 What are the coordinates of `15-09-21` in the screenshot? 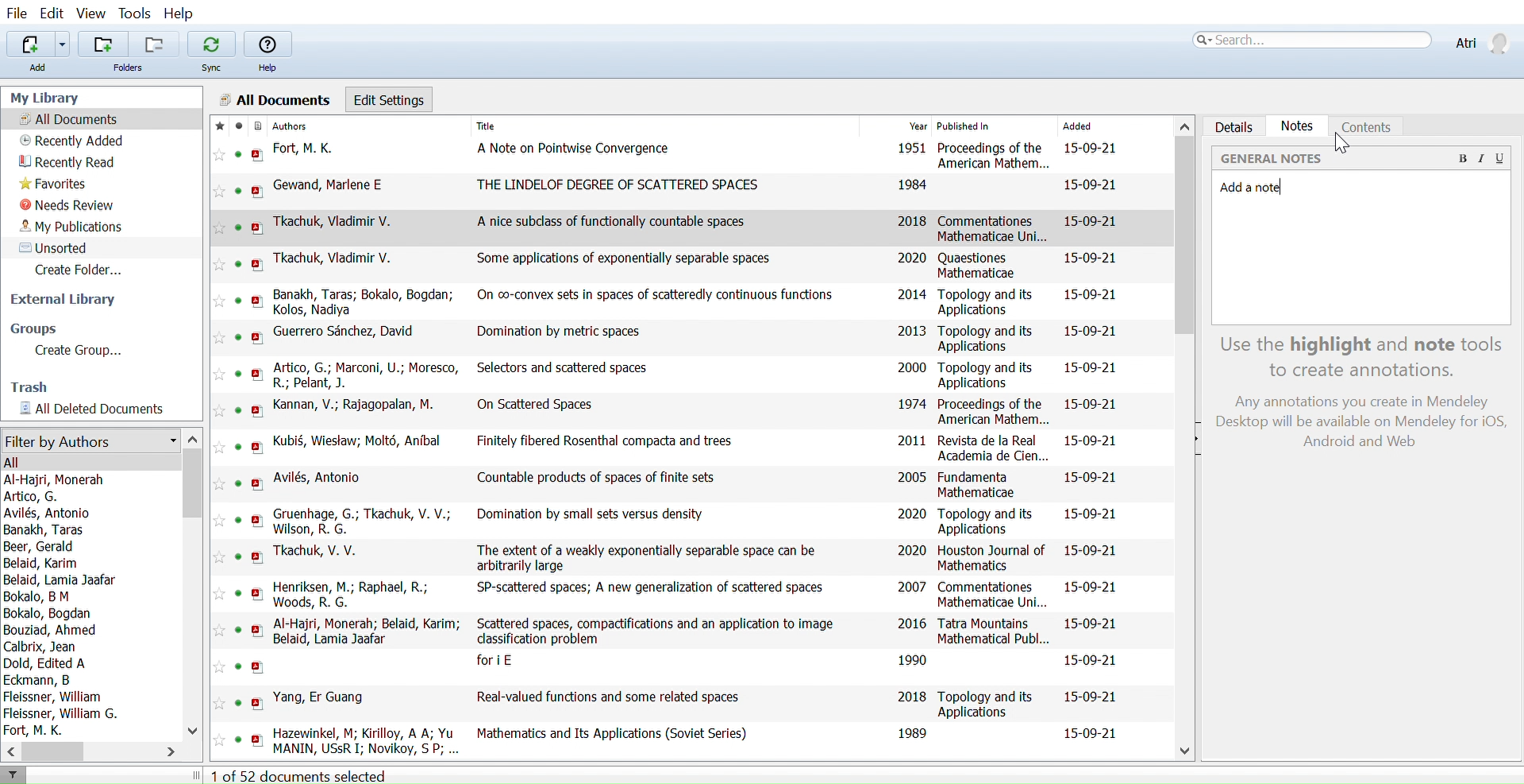 It's located at (1090, 586).